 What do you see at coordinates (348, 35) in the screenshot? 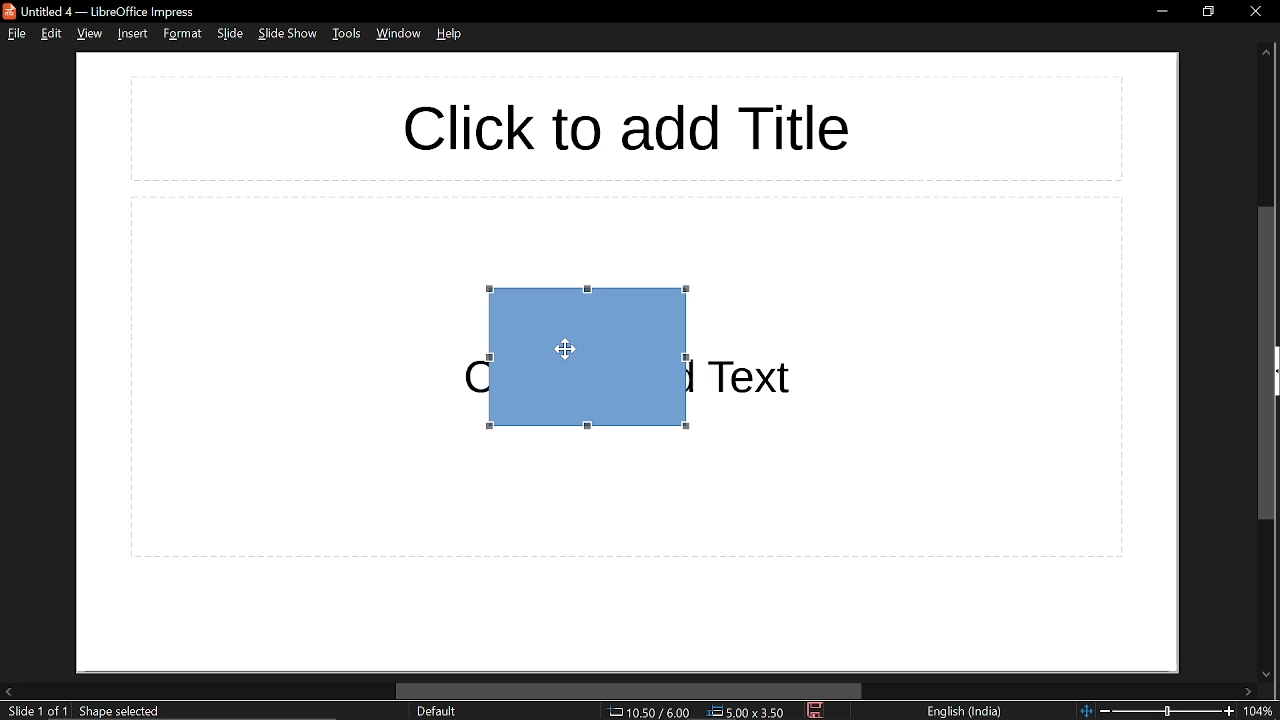
I see `tools` at bounding box center [348, 35].